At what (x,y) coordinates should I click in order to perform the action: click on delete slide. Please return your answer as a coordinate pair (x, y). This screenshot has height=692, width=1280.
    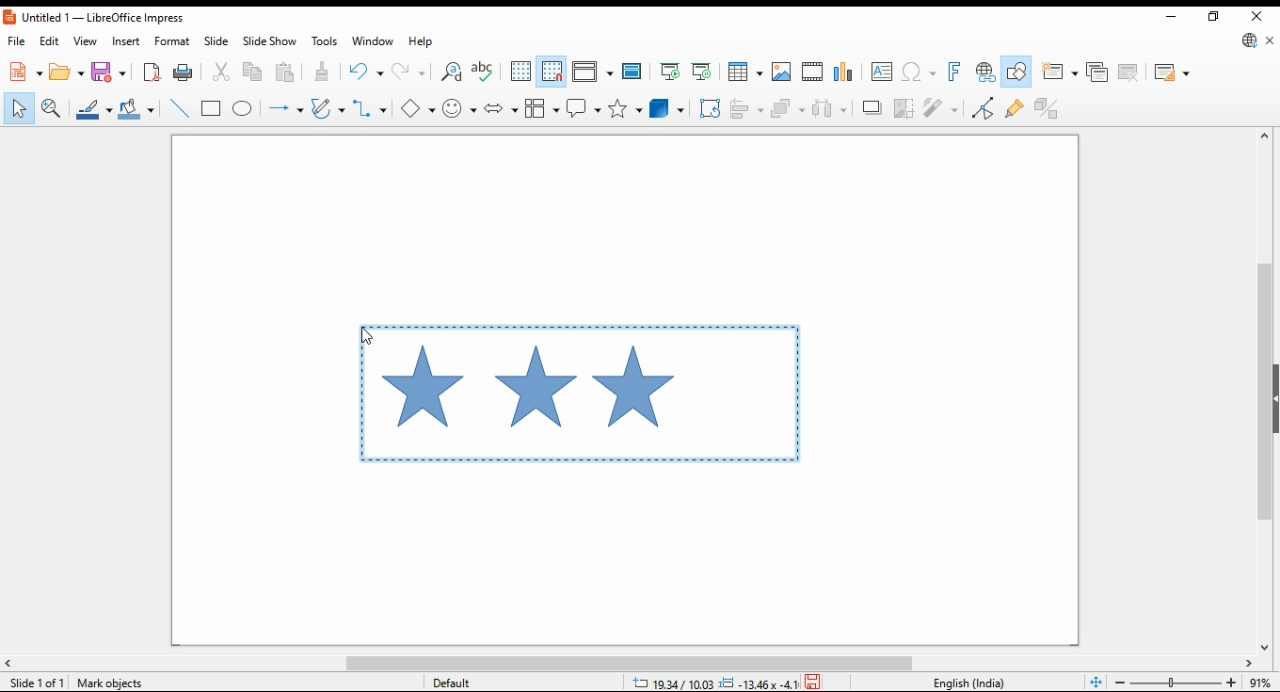
    Looking at the image, I should click on (1130, 73).